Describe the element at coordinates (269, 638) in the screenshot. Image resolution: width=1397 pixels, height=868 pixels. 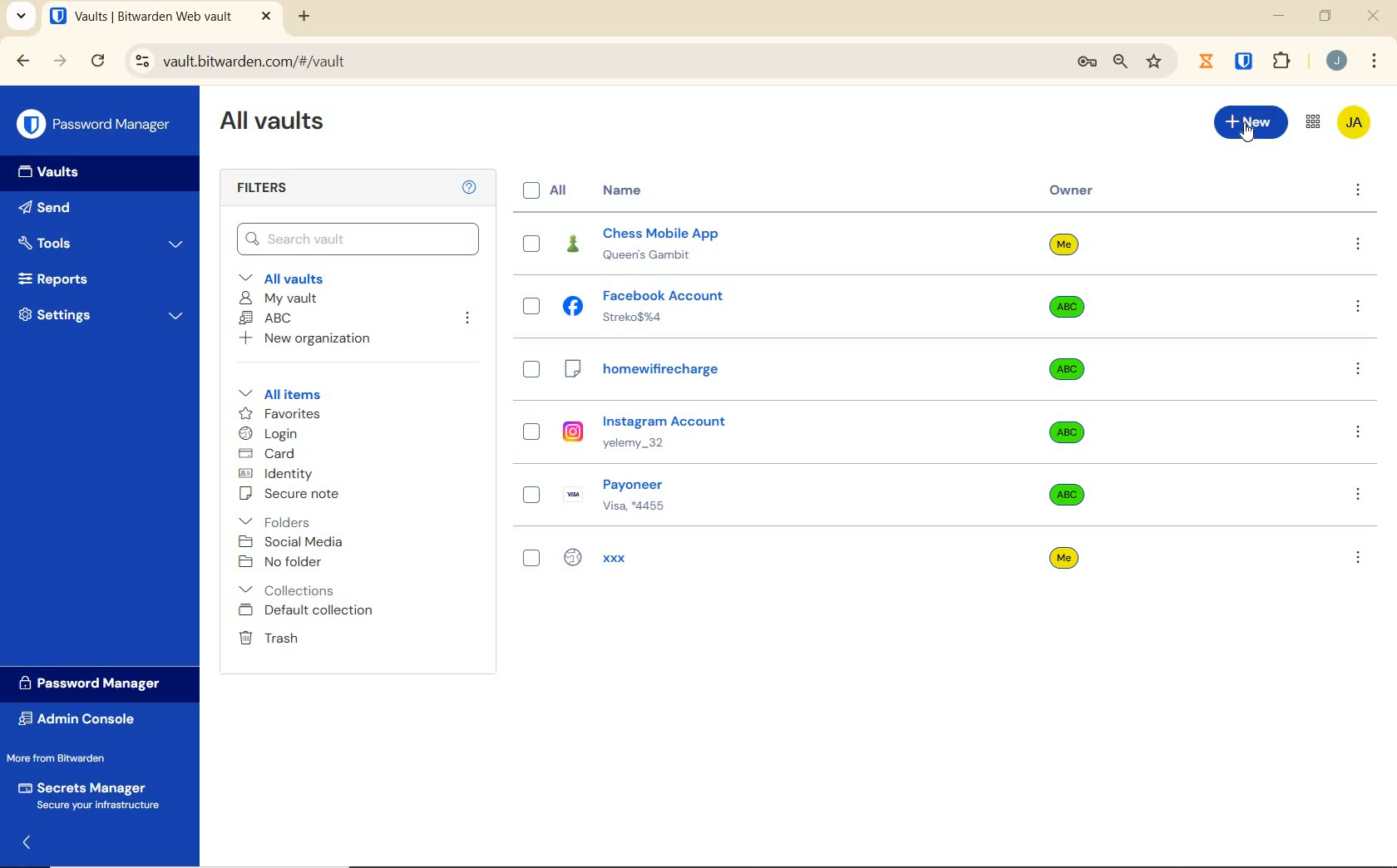
I see `Trash` at that location.